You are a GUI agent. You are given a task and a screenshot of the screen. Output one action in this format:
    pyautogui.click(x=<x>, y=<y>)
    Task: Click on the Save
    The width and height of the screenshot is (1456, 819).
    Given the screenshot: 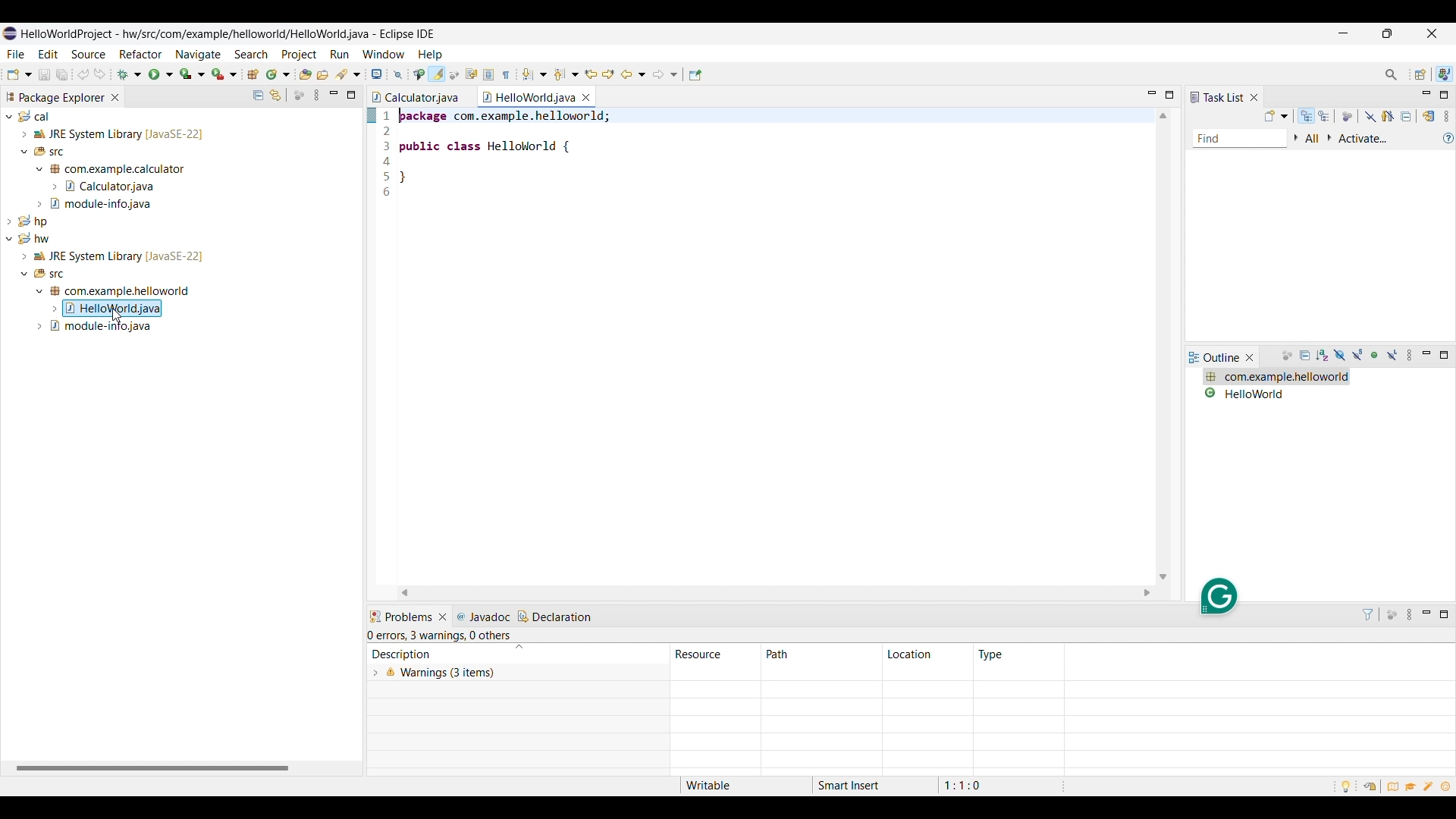 What is the action you would take?
    pyautogui.click(x=45, y=74)
    